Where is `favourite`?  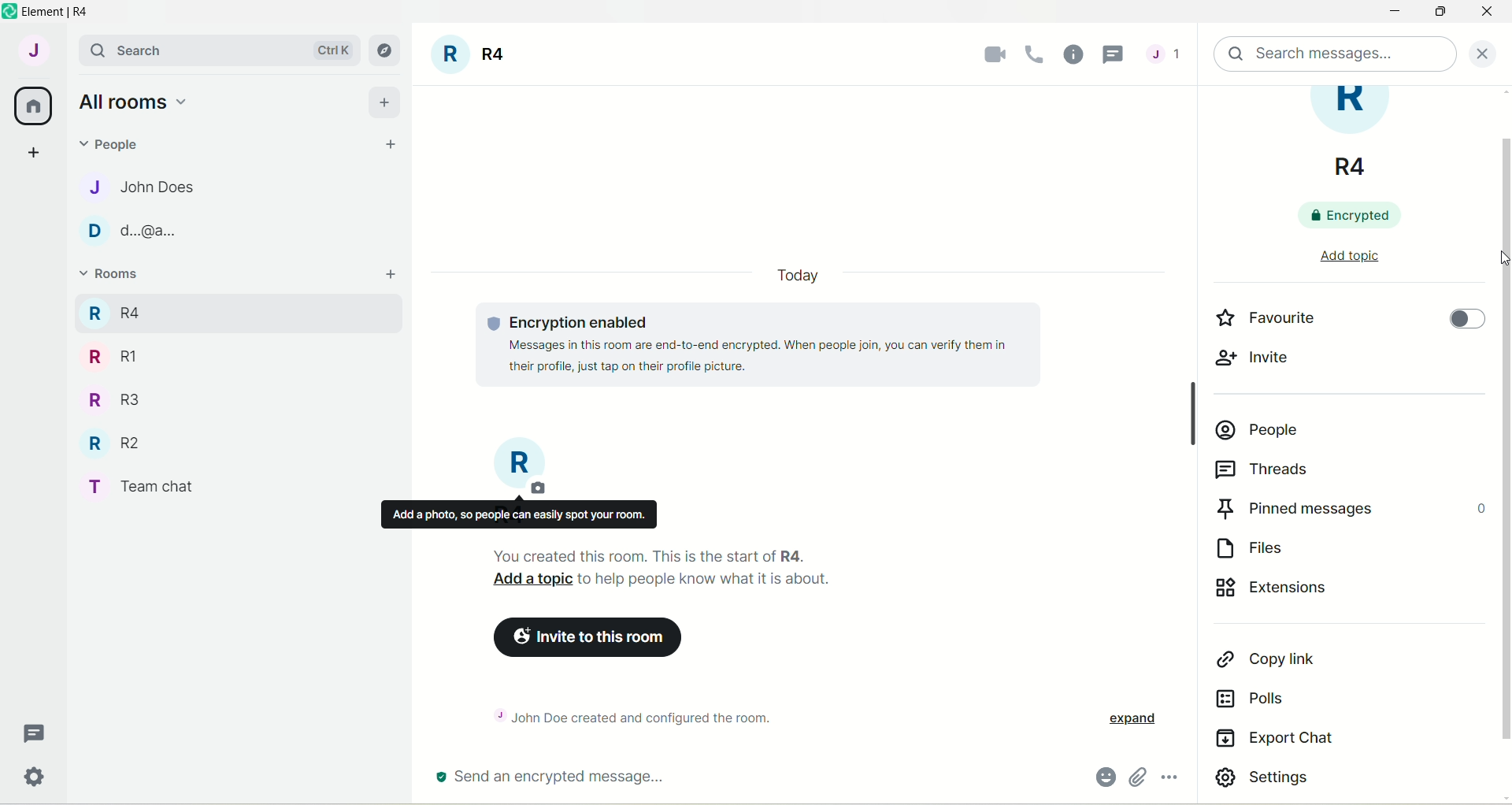 favourite is located at coordinates (1263, 317).